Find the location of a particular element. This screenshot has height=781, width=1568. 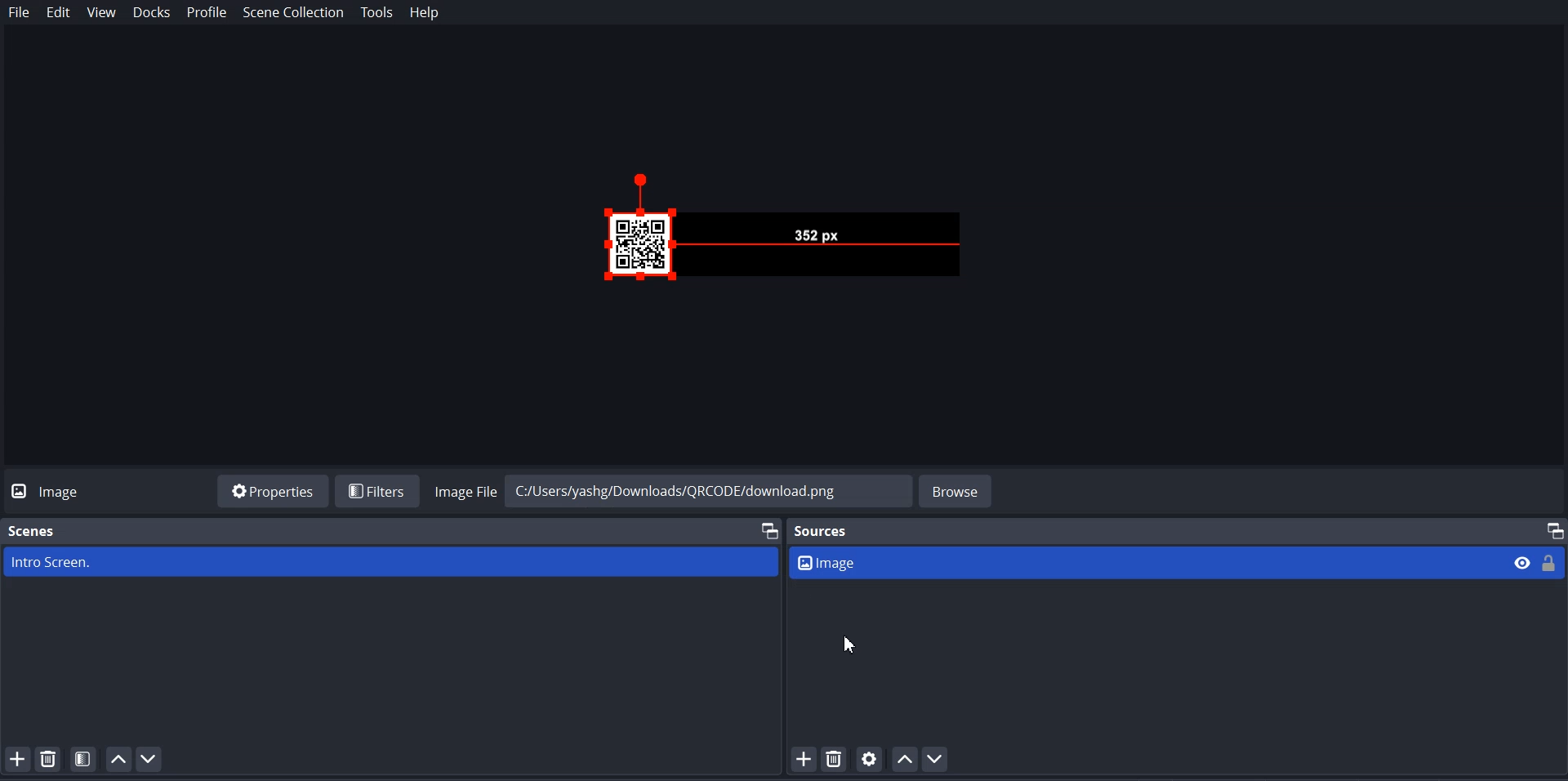

Scene Collection is located at coordinates (294, 14).